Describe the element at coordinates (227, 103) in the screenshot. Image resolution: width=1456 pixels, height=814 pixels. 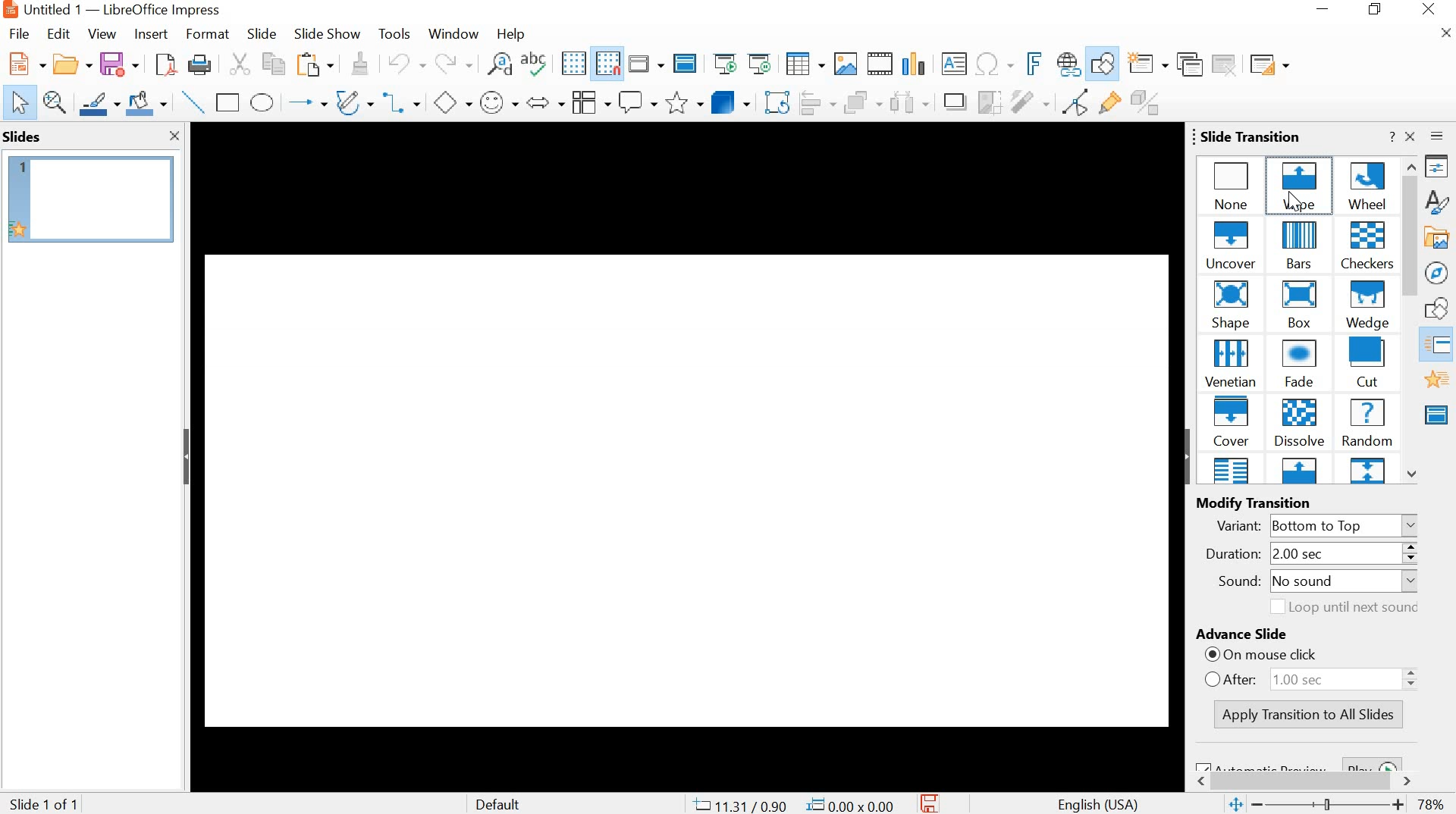
I see `Rectangle` at that location.